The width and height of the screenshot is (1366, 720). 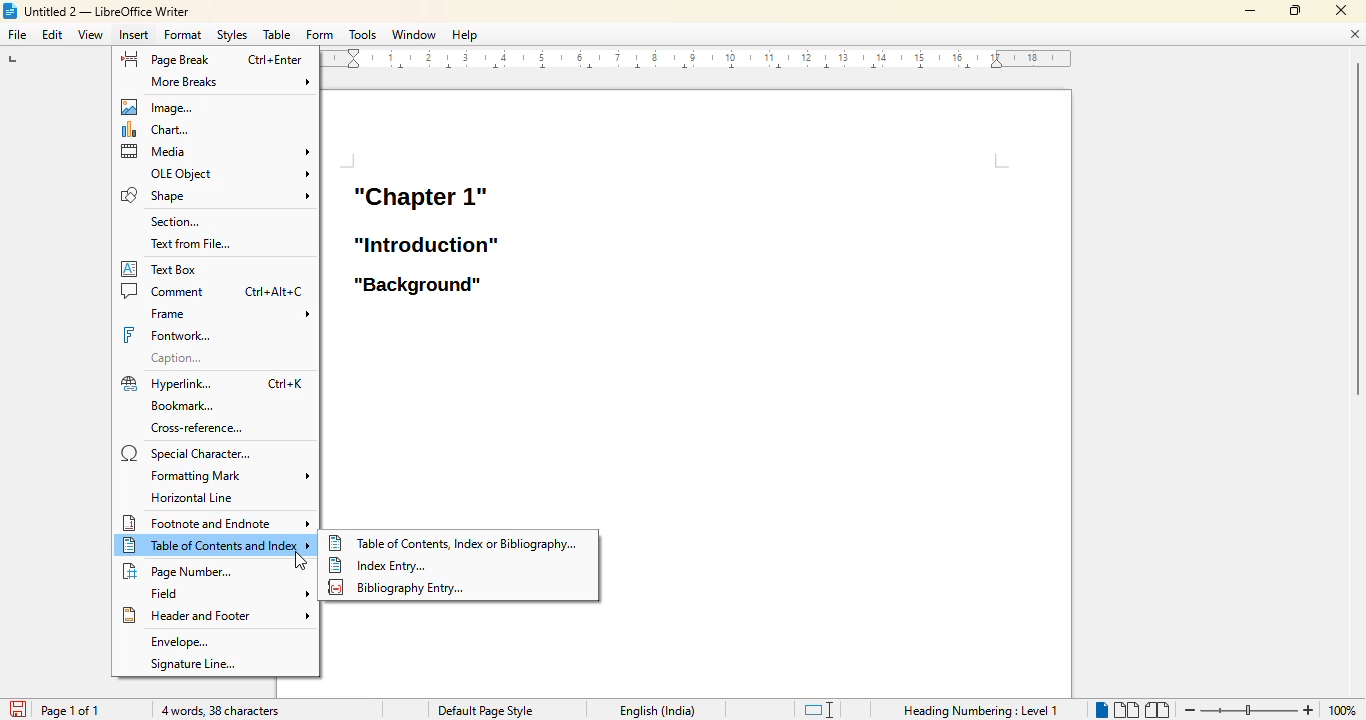 What do you see at coordinates (1247, 710) in the screenshot?
I see `zoom` at bounding box center [1247, 710].